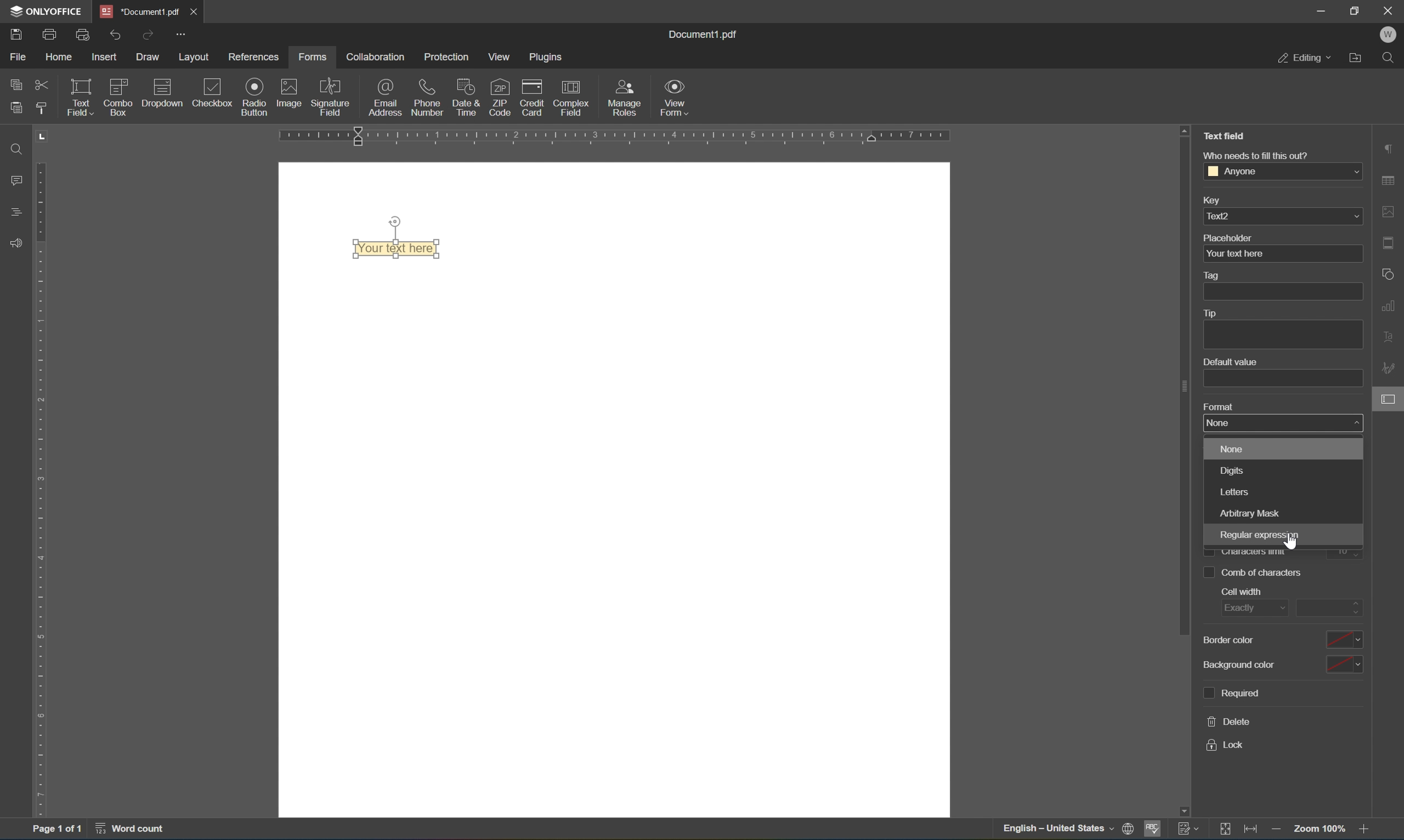 This screenshot has height=840, width=1404. What do you see at coordinates (1249, 511) in the screenshot?
I see `arbitrary mask` at bounding box center [1249, 511].